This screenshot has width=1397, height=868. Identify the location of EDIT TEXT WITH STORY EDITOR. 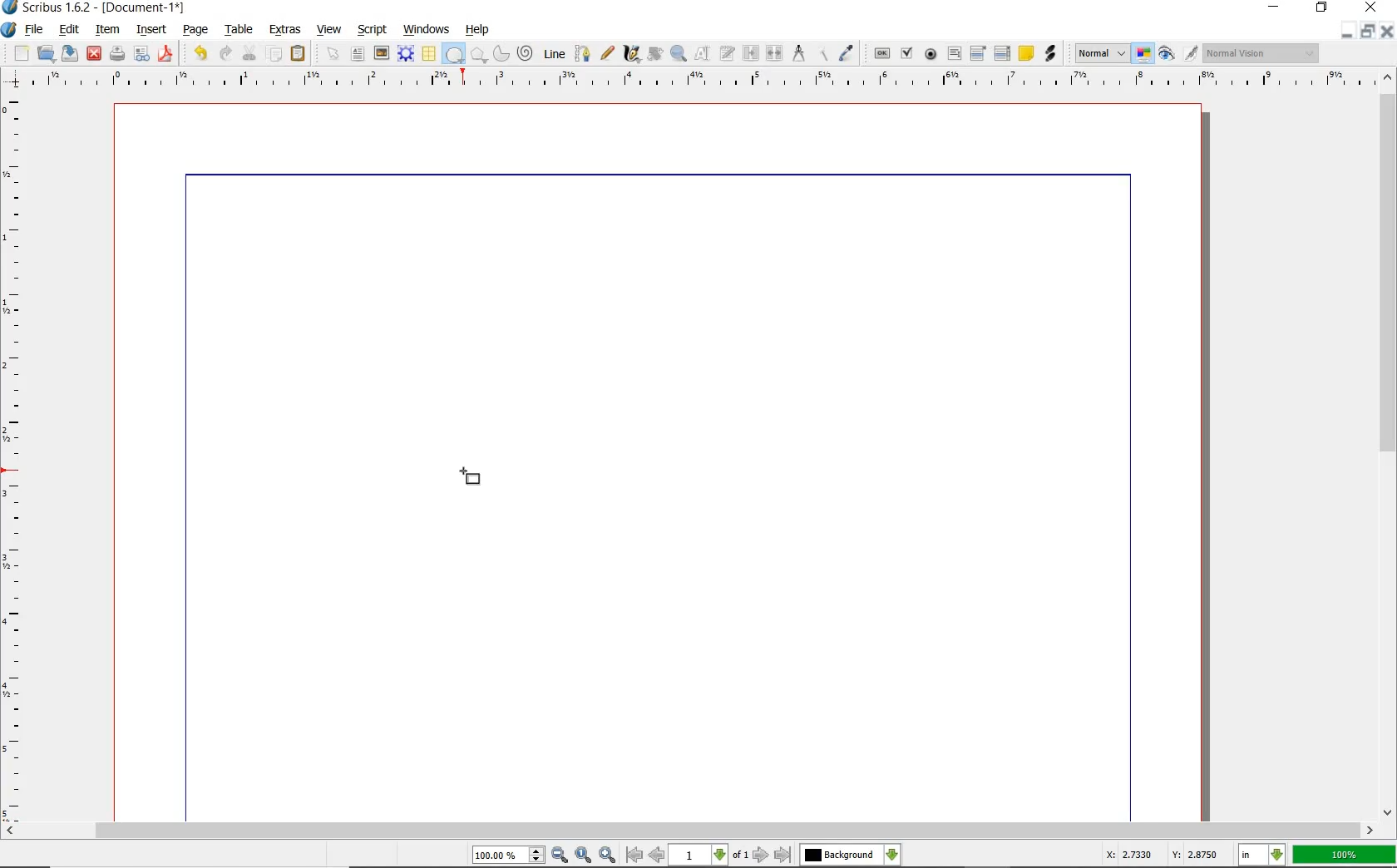
(728, 53).